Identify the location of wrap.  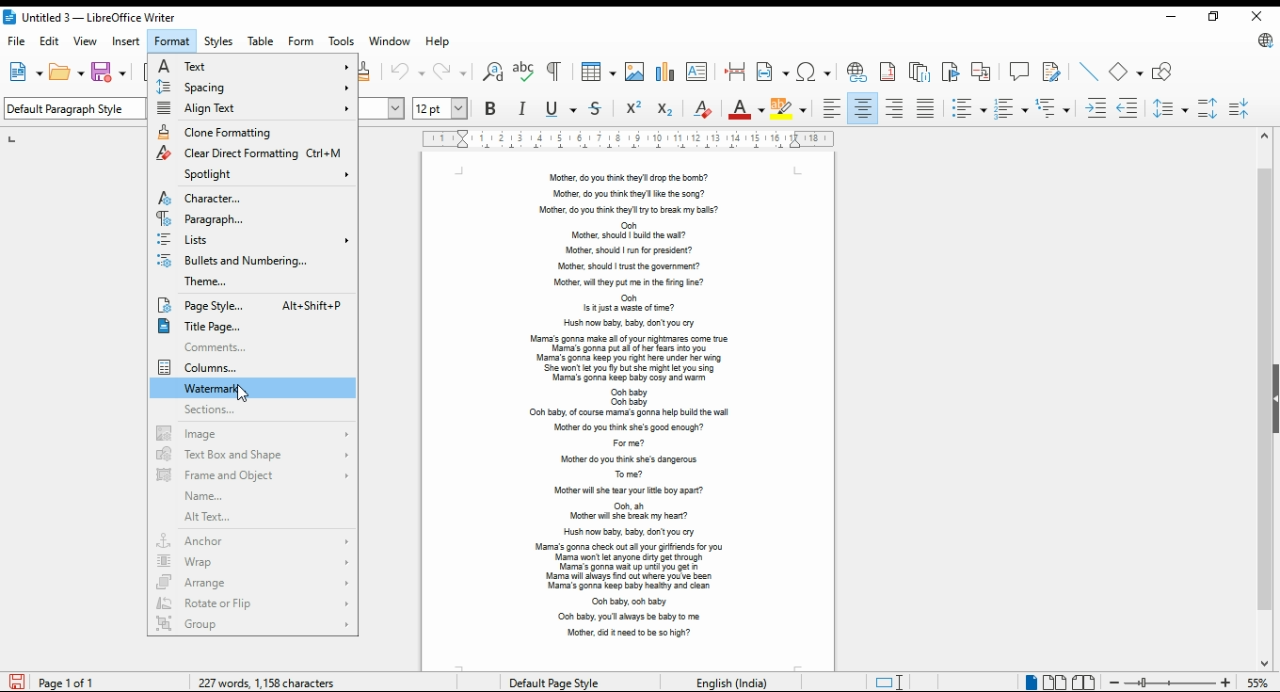
(254, 563).